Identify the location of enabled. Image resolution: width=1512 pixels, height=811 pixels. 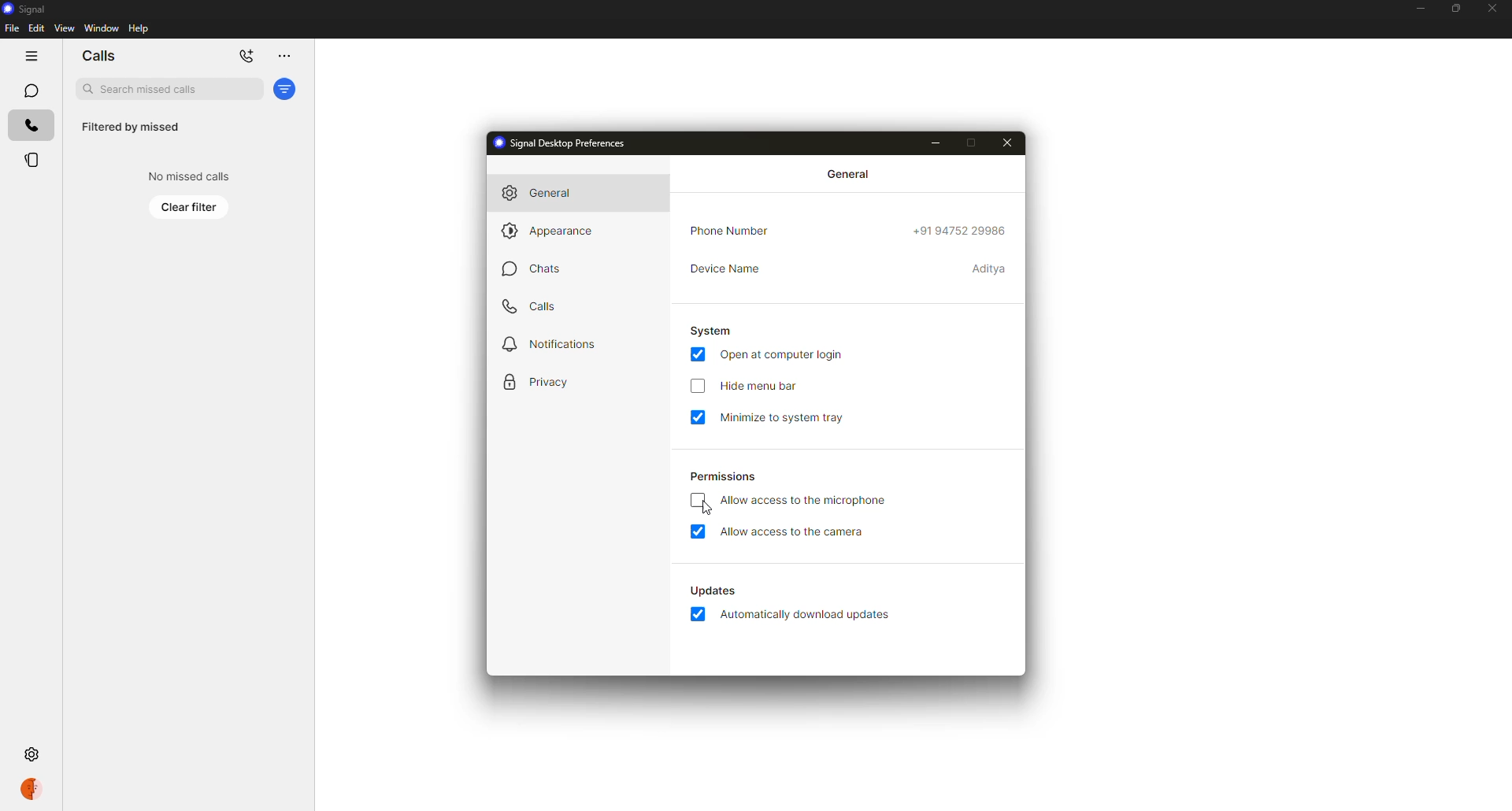
(699, 614).